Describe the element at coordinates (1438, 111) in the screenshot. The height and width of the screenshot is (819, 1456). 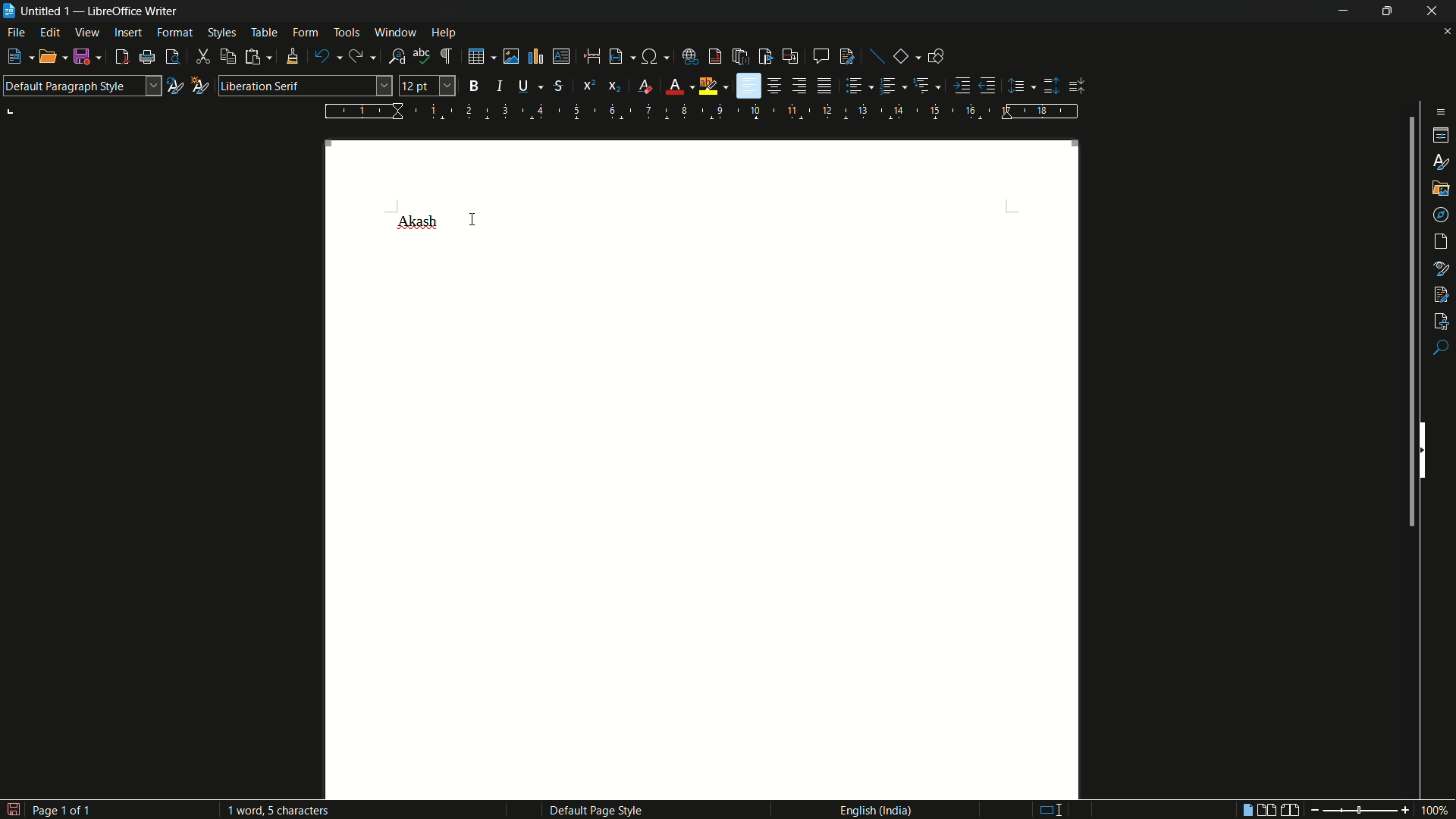
I see `sidebar settings` at that location.